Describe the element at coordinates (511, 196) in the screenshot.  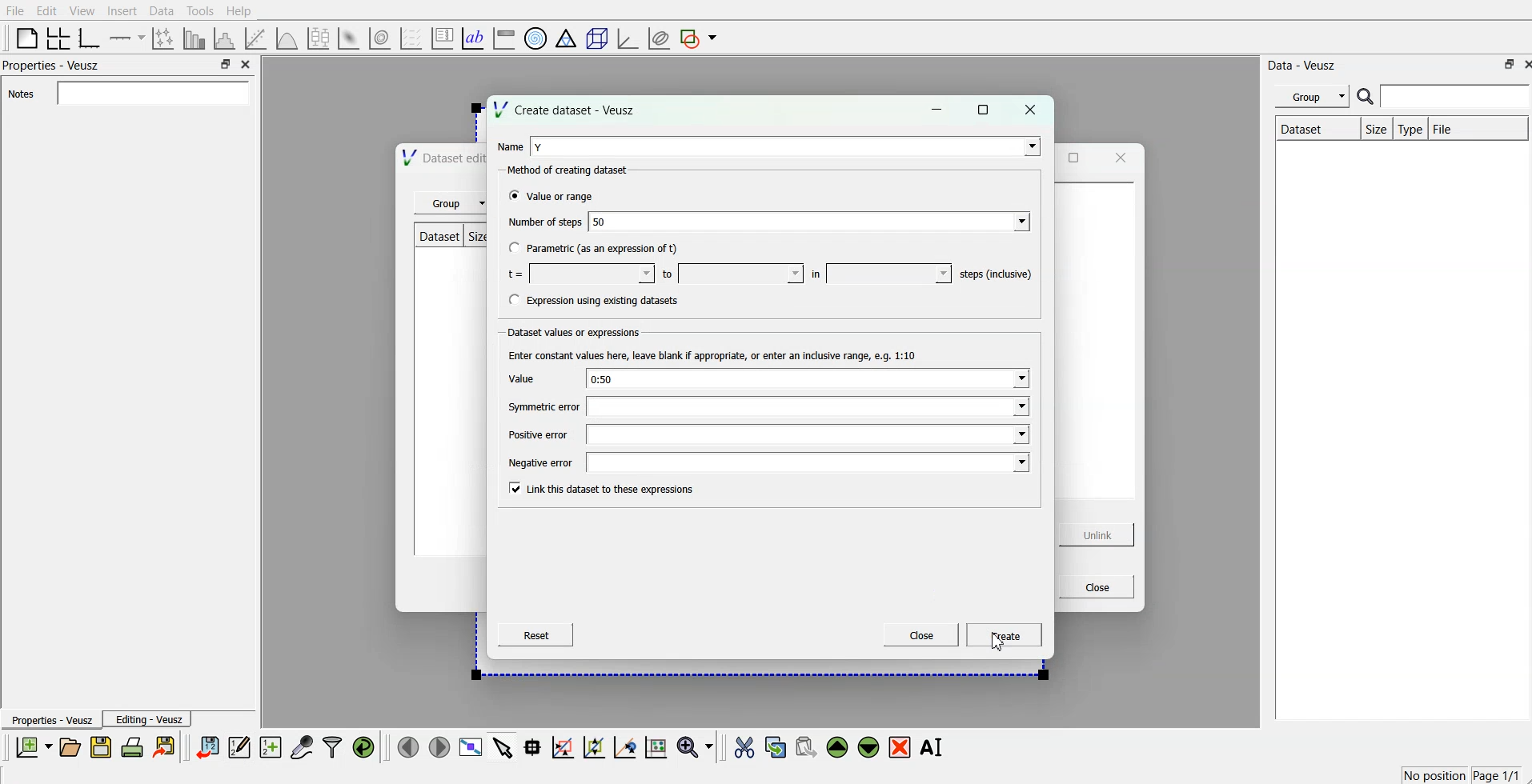
I see `checkbox` at that location.